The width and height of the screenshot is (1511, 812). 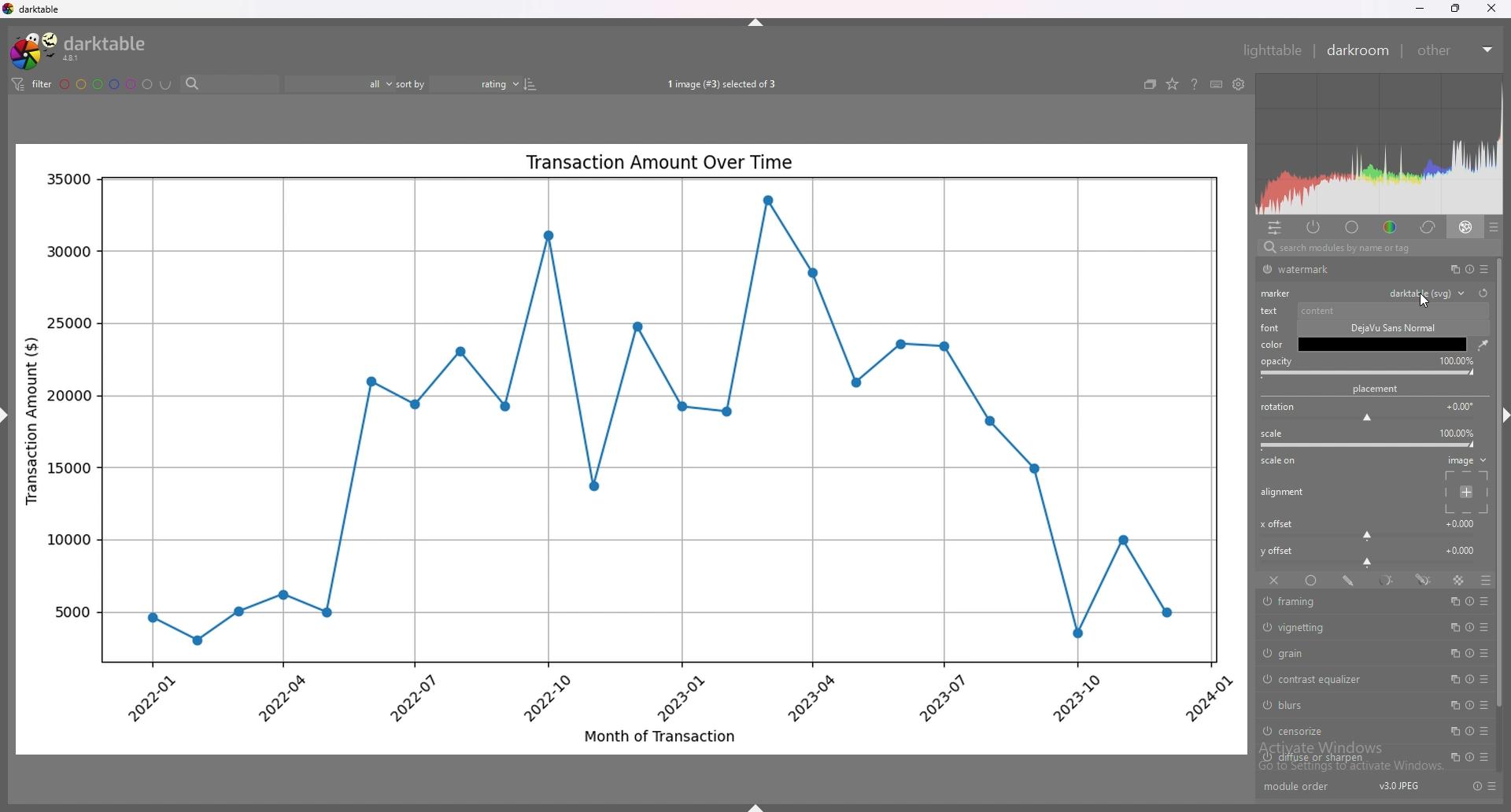 I want to click on scale, so click(x=1272, y=434).